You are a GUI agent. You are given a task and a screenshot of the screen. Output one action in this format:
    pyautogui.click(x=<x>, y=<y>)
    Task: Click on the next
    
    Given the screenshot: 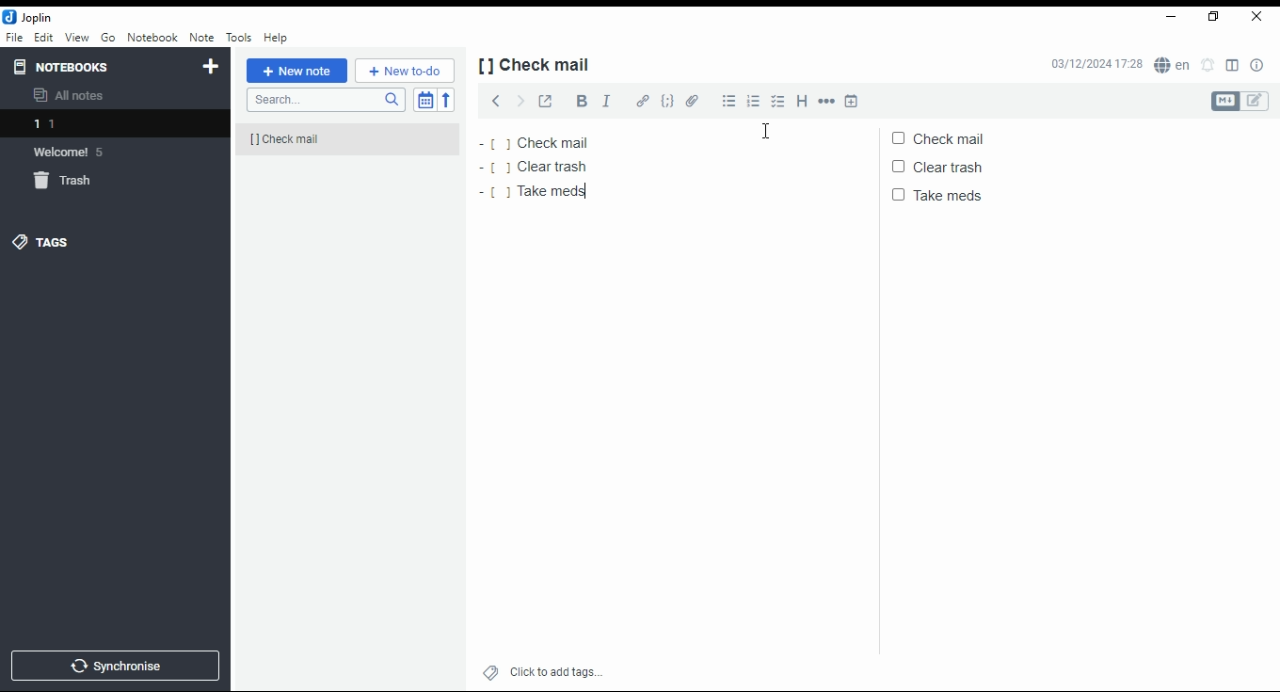 What is the action you would take?
    pyautogui.click(x=520, y=100)
    